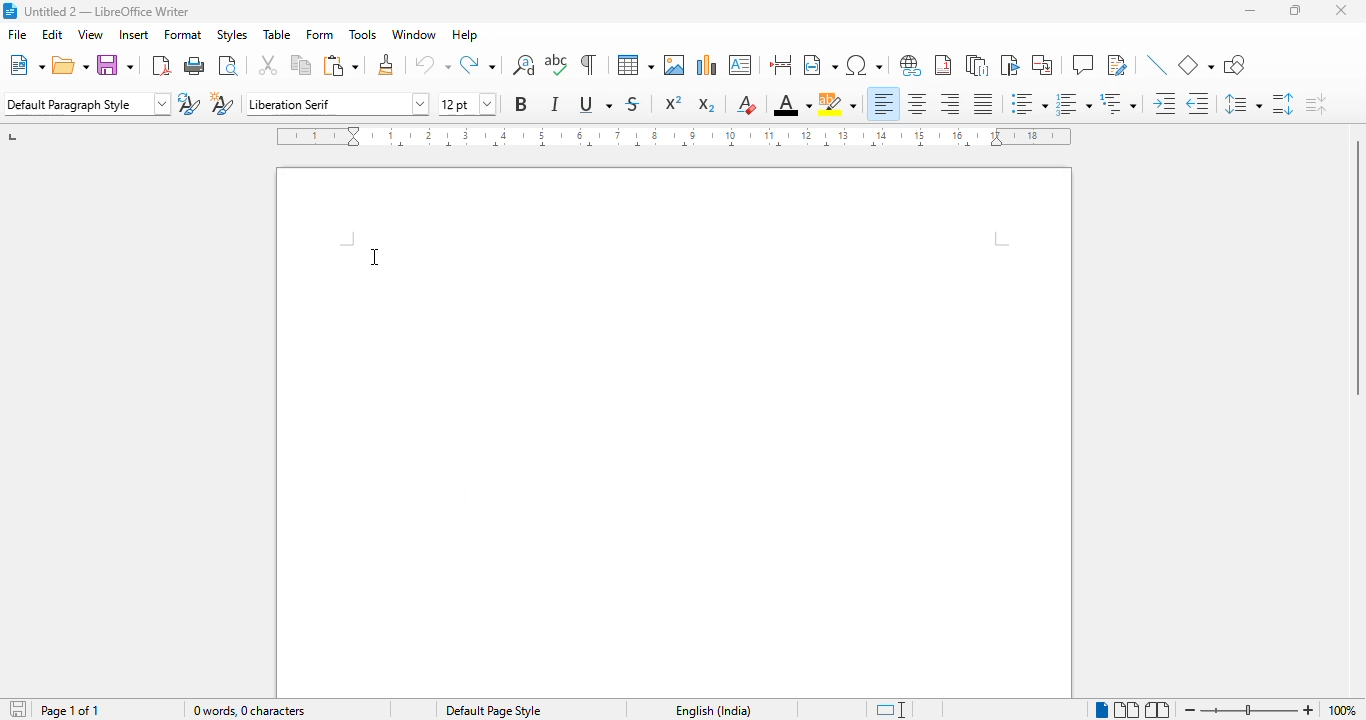  I want to click on font size, so click(466, 104).